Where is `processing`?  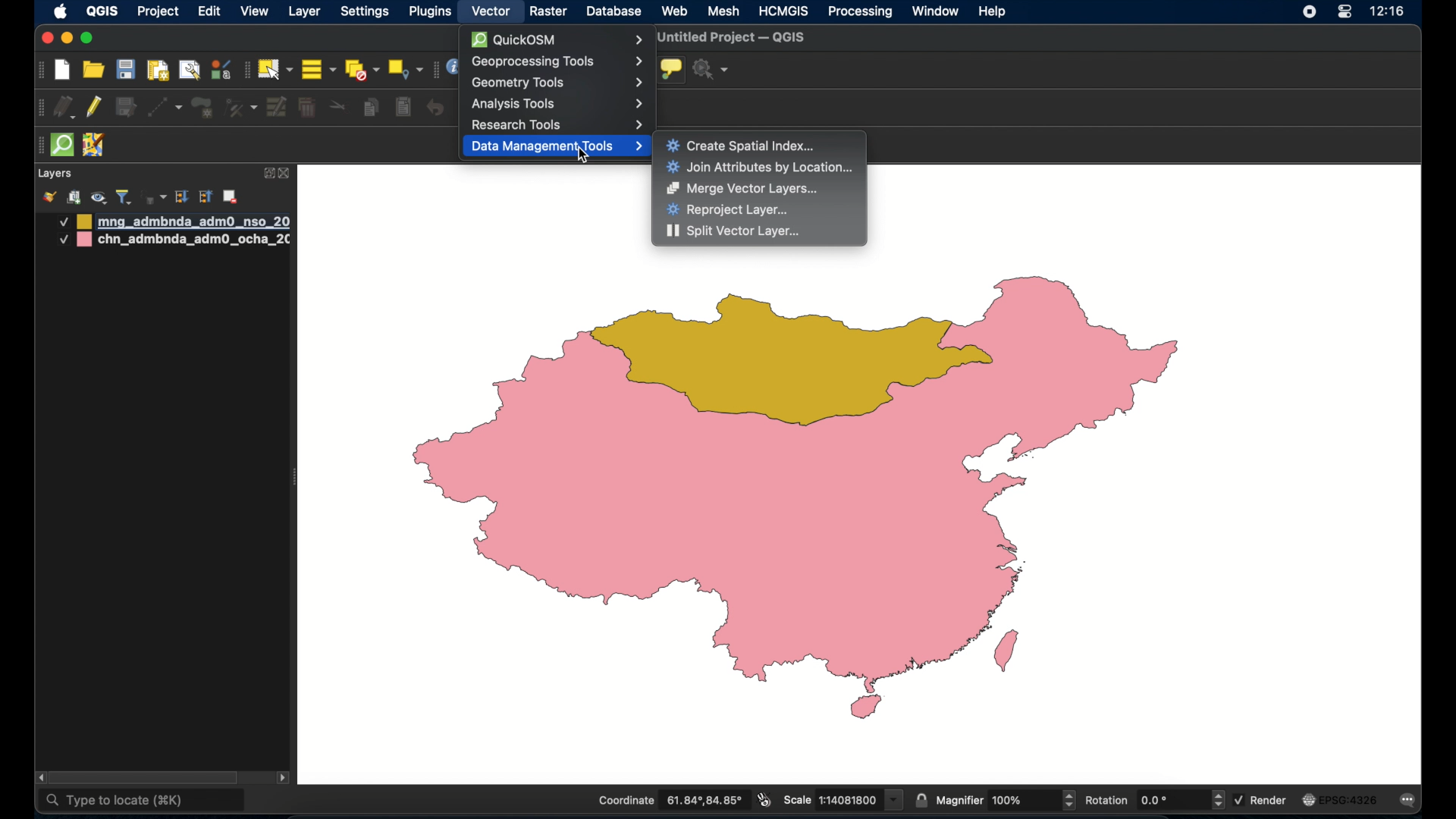
processing is located at coordinates (861, 13).